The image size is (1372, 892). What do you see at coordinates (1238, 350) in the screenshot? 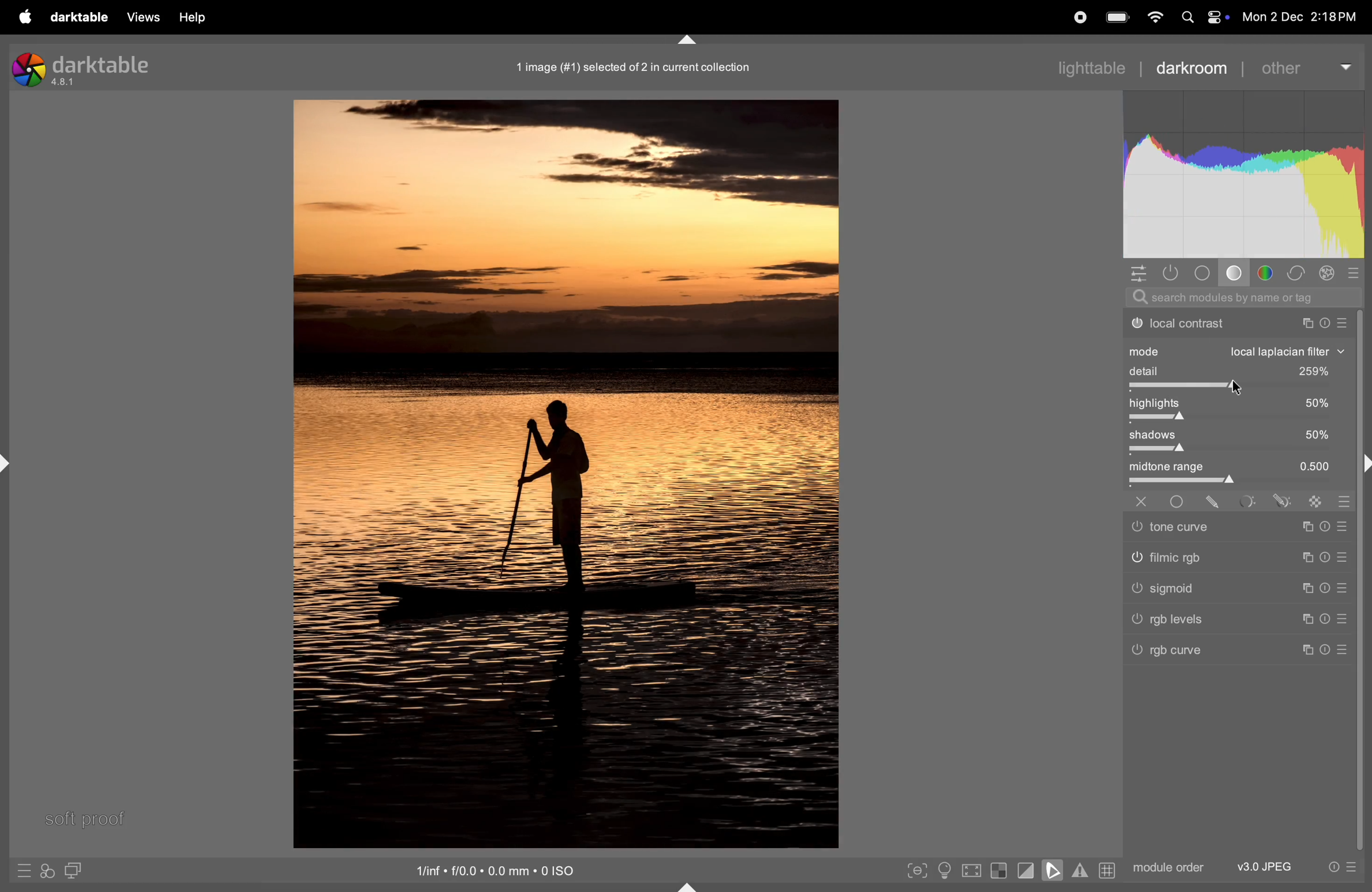
I see `mode` at bounding box center [1238, 350].